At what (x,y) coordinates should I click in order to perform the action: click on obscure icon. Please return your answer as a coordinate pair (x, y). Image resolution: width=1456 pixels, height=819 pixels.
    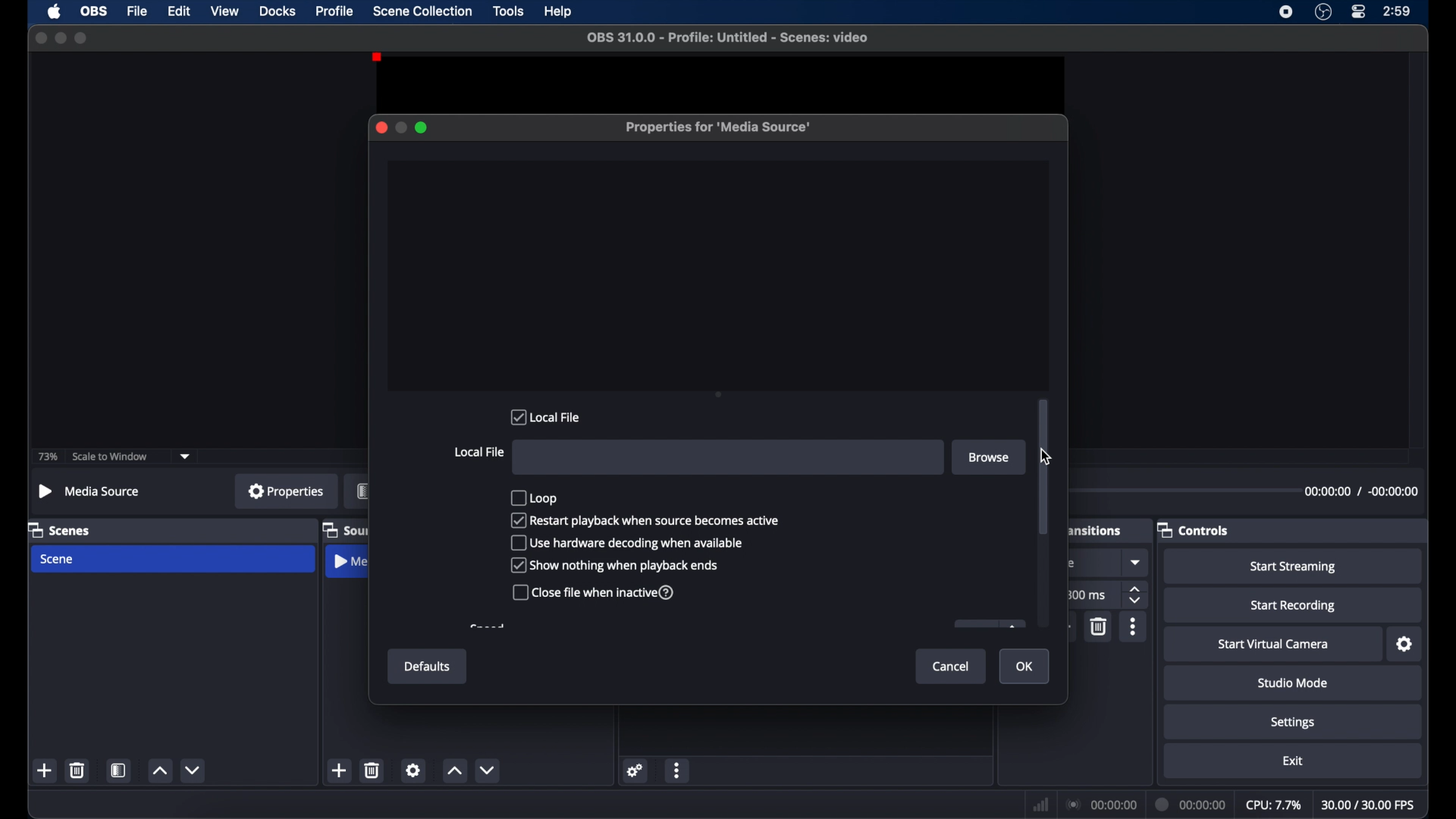
    Looking at the image, I should click on (988, 623).